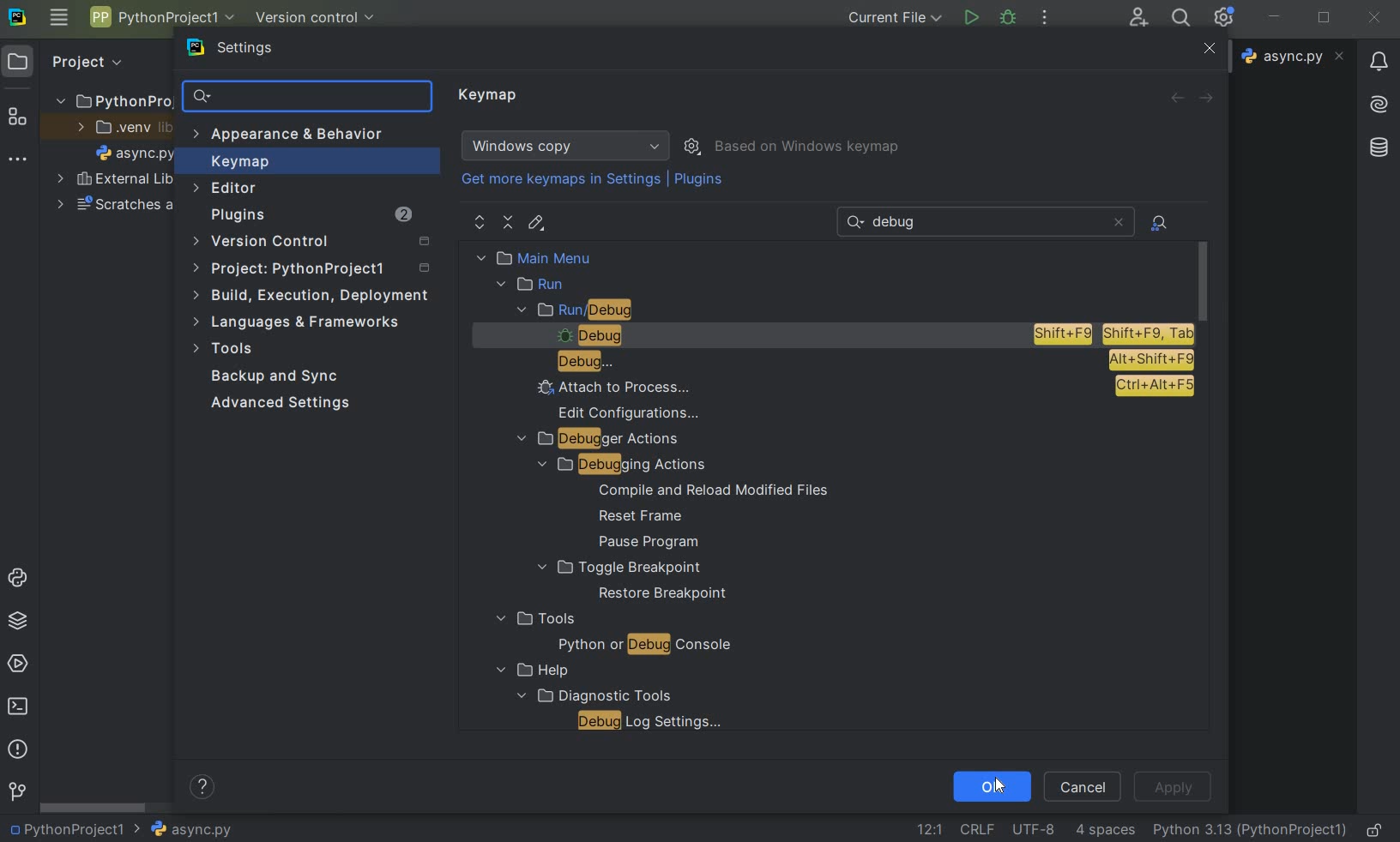 Image resolution: width=1400 pixels, height=842 pixels. What do you see at coordinates (183, 829) in the screenshot?
I see `file name` at bounding box center [183, 829].